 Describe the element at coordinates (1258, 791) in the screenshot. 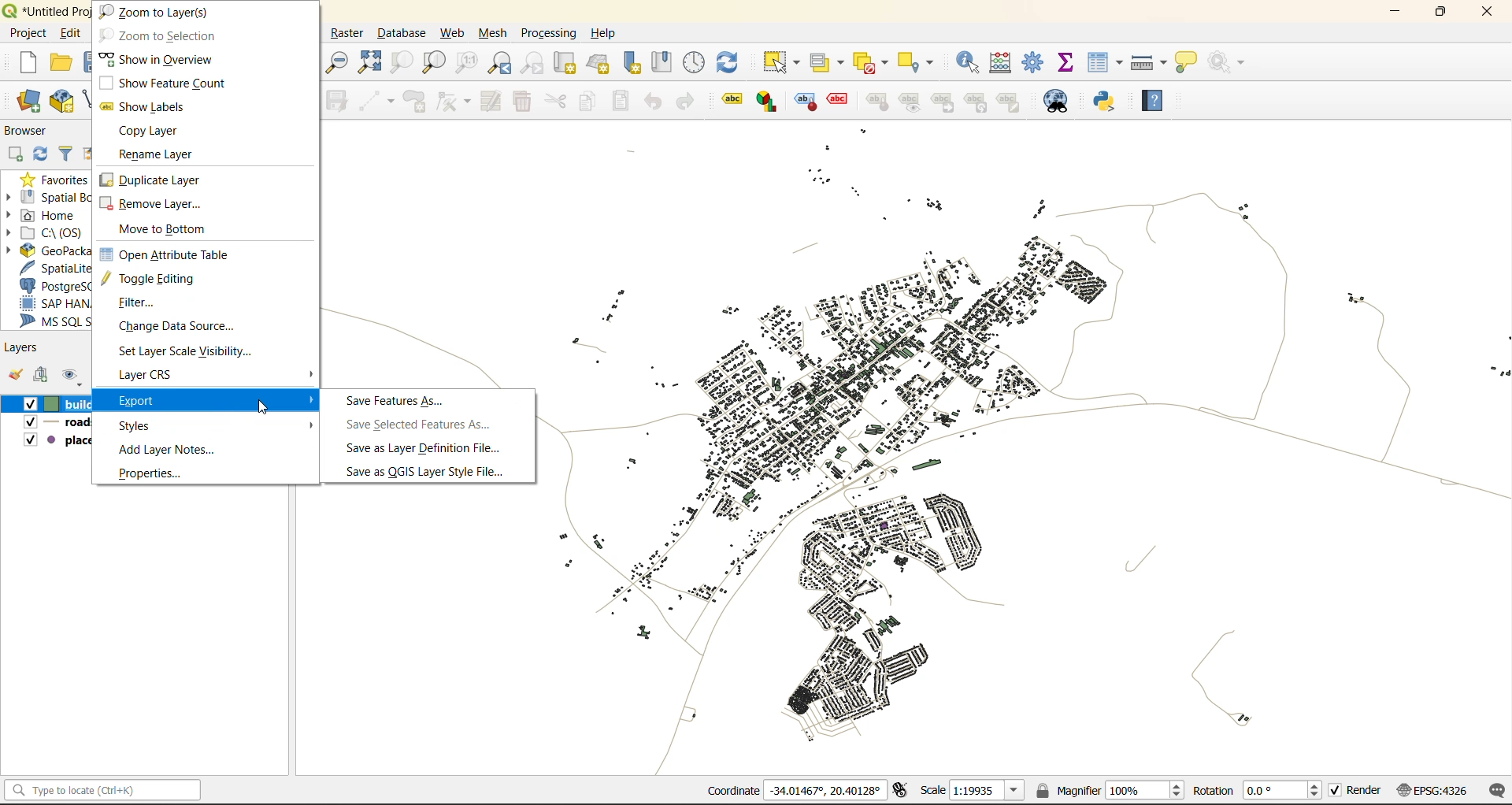

I see `rotation` at that location.